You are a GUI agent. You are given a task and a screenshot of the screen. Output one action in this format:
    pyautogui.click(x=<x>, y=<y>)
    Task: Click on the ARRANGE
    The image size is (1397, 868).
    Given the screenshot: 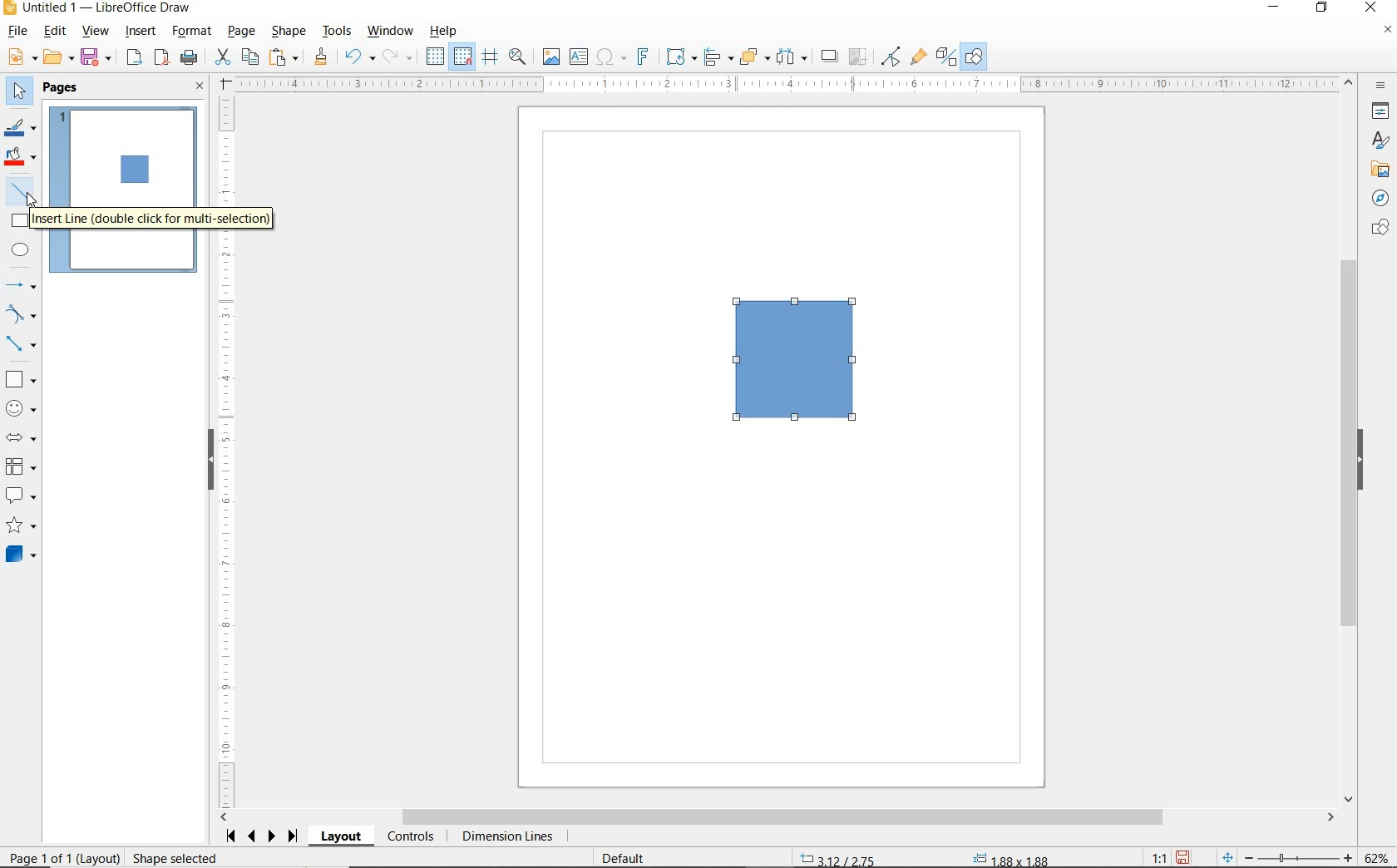 What is the action you would take?
    pyautogui.click(x=755, y=56)
    